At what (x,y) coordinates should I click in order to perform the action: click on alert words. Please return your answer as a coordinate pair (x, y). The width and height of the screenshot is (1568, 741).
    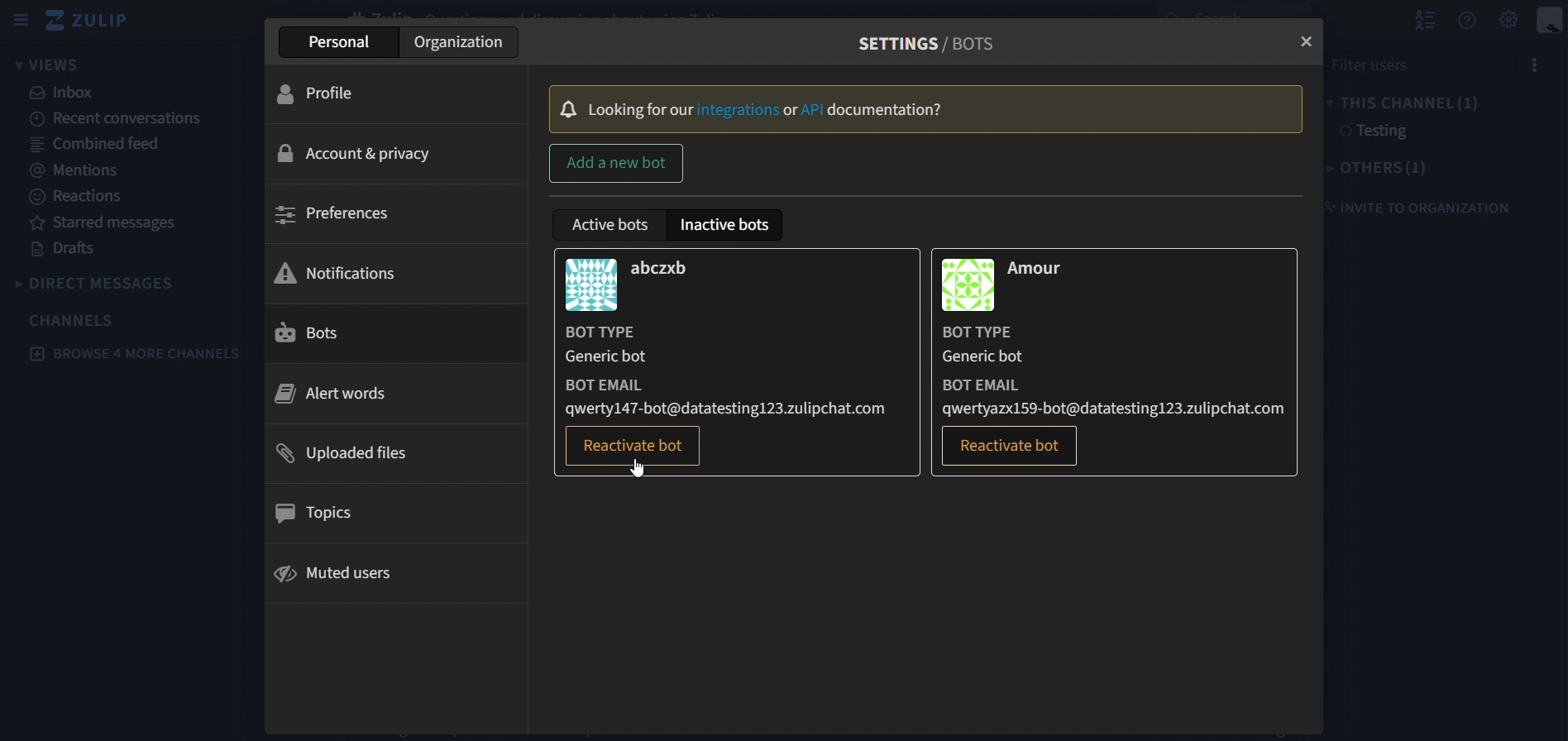
    Looking at the image, I should click on (341, 392).